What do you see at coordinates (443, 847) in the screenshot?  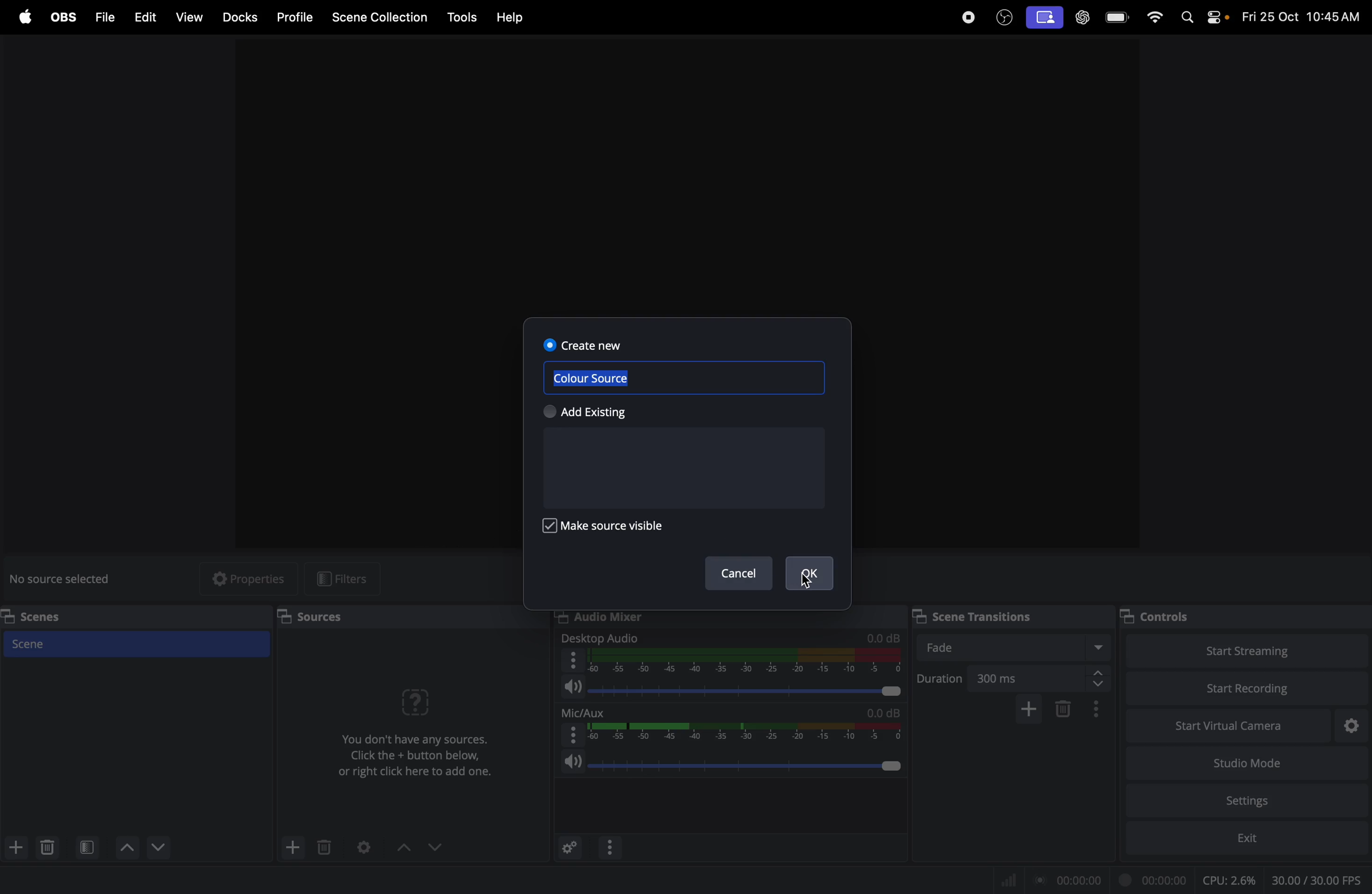 I see `drop down` at bounding box center [443, 847].